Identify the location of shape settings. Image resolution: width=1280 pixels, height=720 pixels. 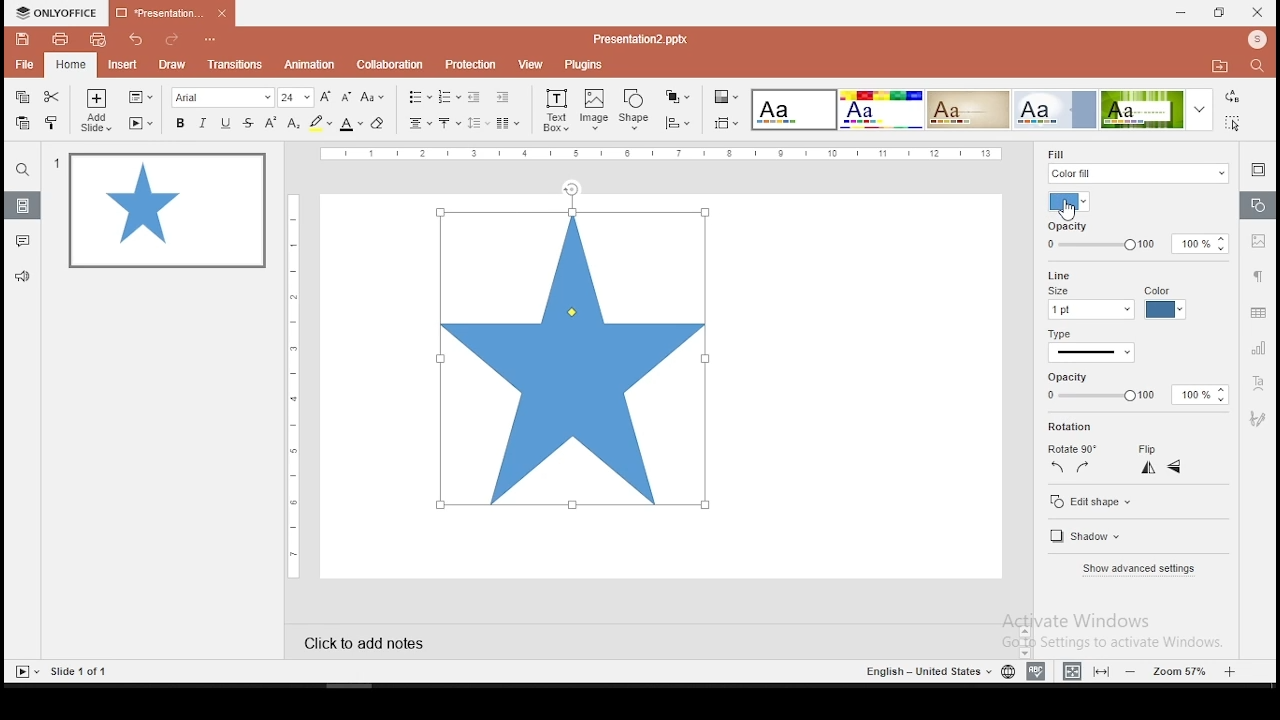
(1256, 206).